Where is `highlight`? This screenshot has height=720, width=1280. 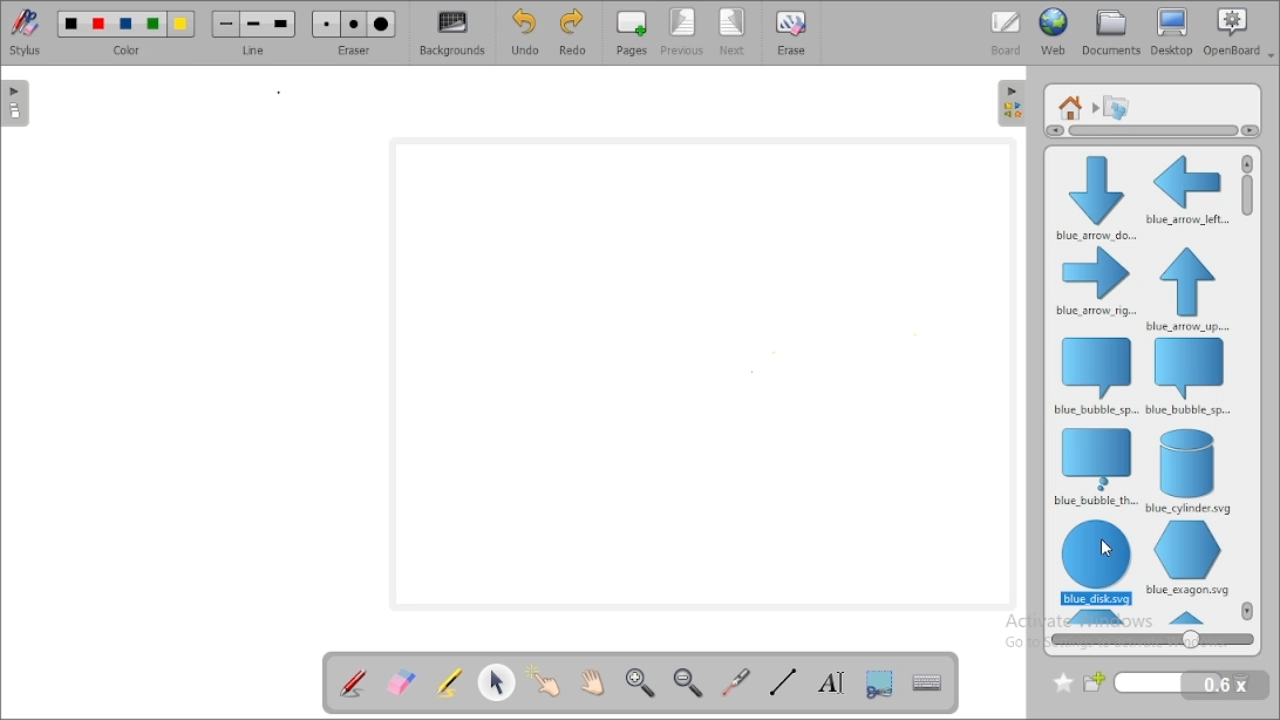 highlight is located at coordinates (448, 681).